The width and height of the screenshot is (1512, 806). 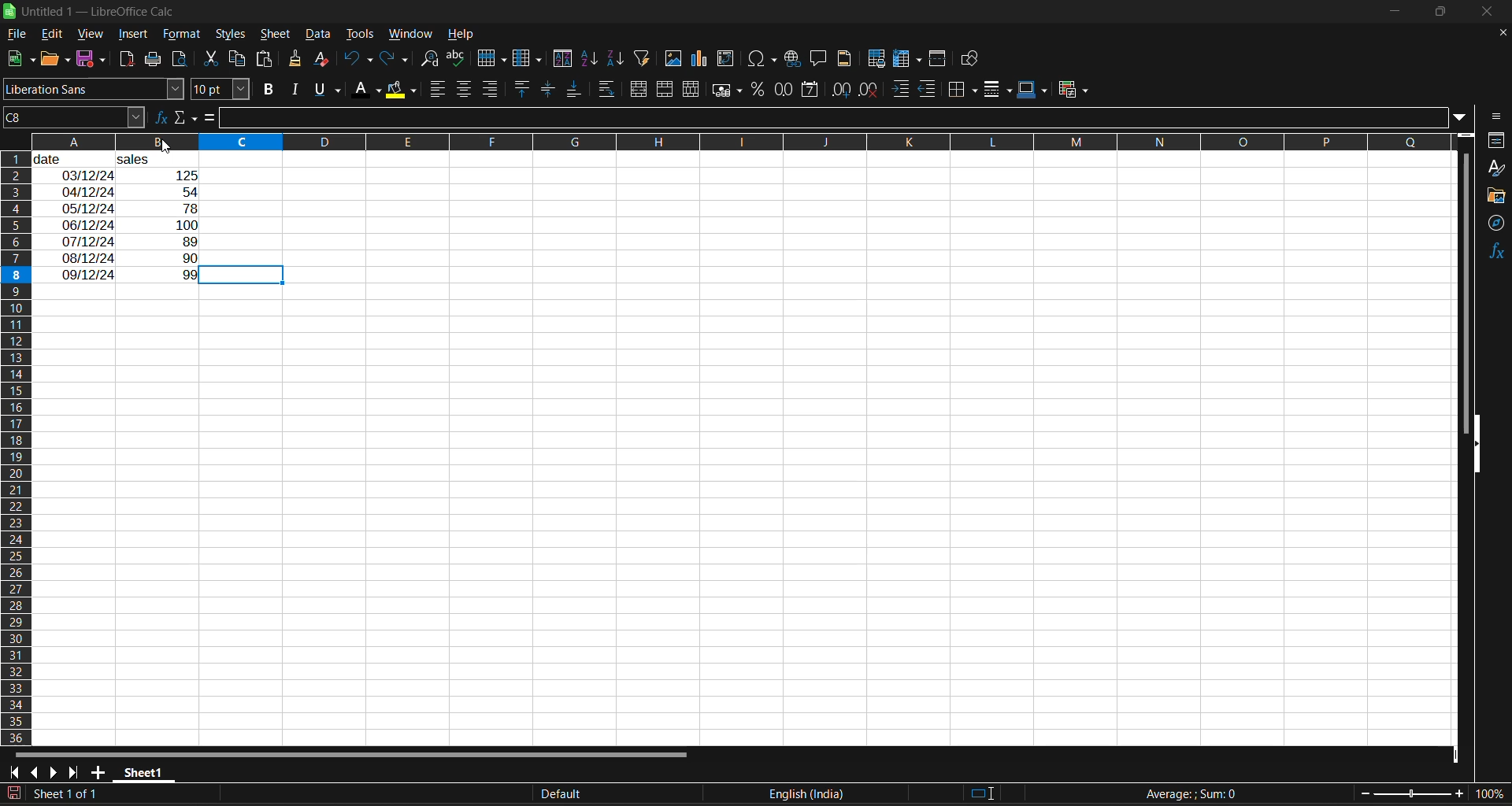 What do you see at coordinates (1497, 168) in the screenshot?
I see `style` at bounding box center [1497, 168].